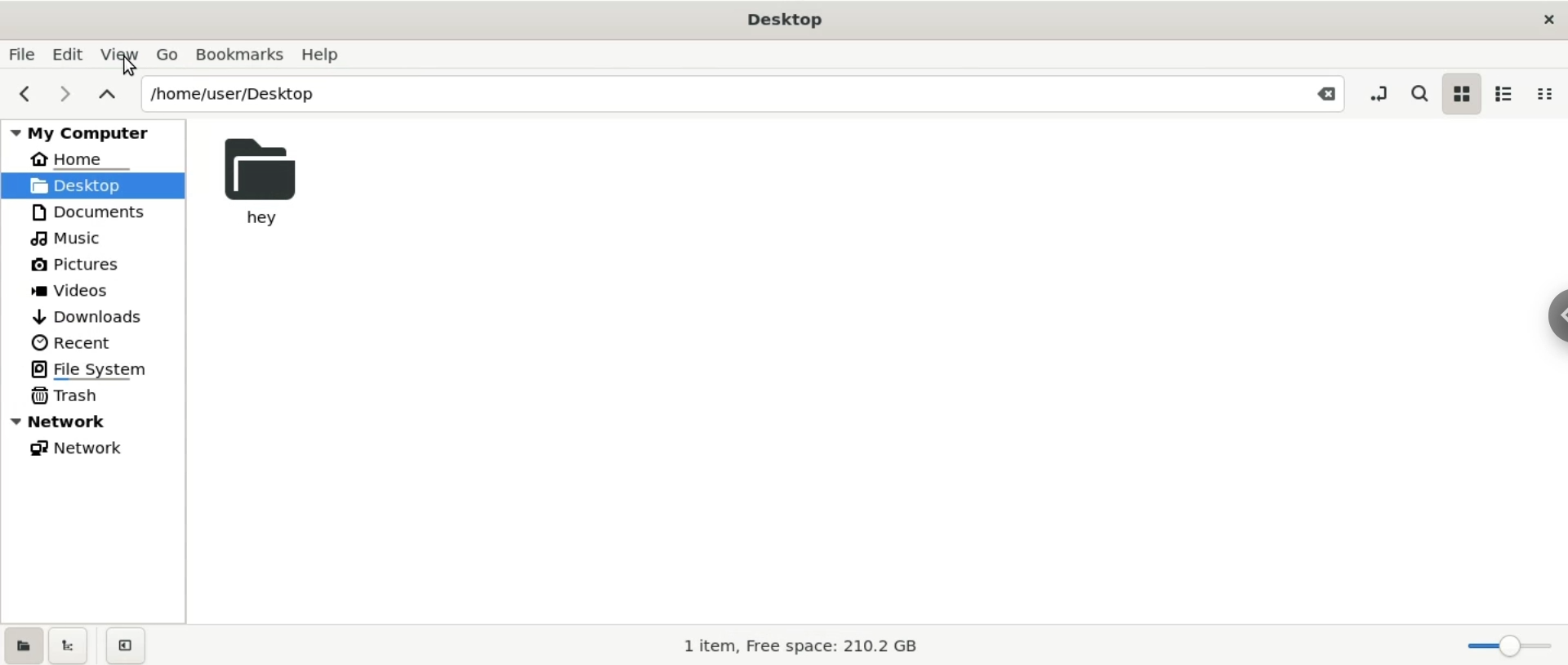  What do you see at coordinates (336, 55) in the screenshot?
I see `Help` at bounding box center [336, 55].